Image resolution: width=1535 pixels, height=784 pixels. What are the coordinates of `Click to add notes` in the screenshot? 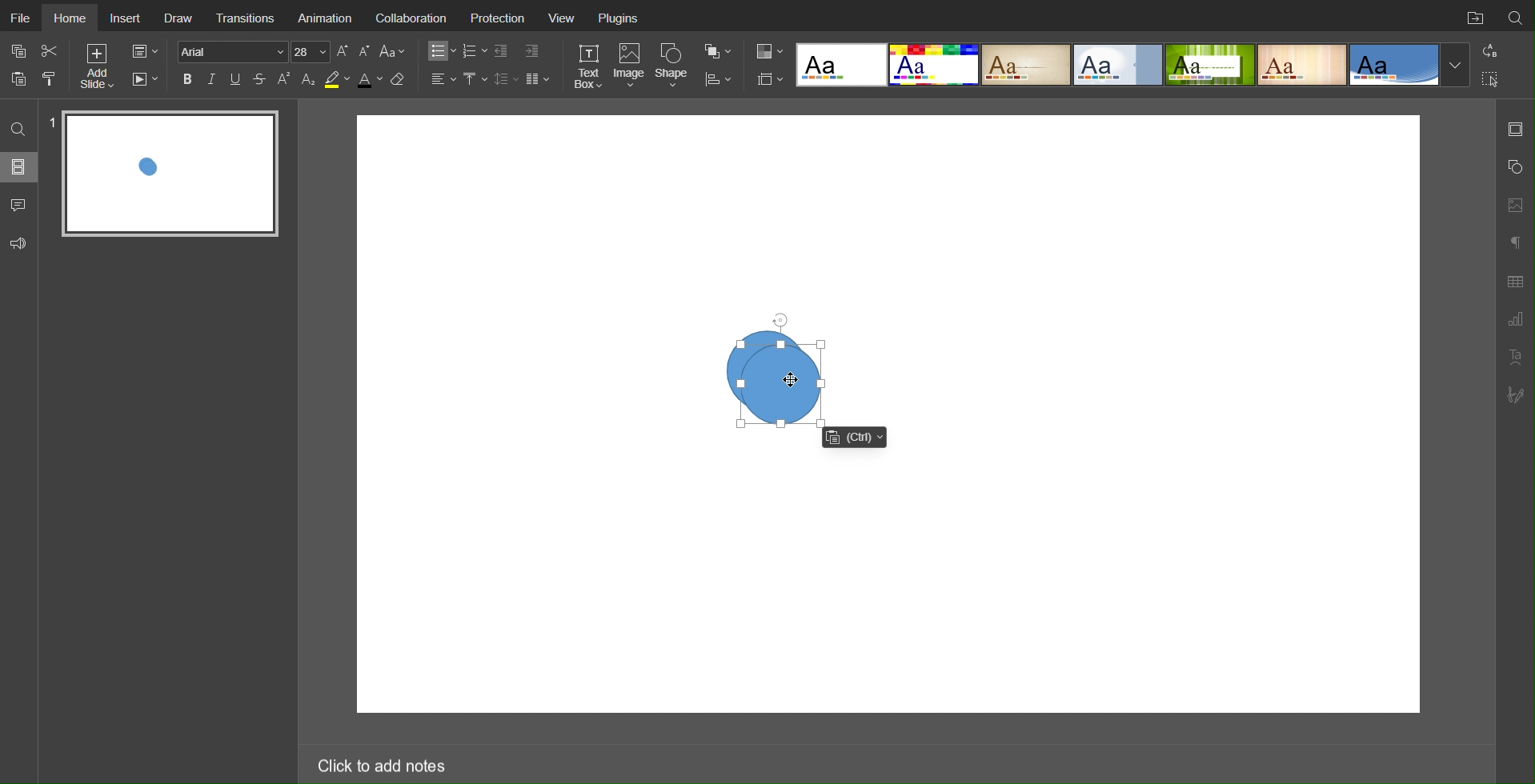 It's located at (380, 762).